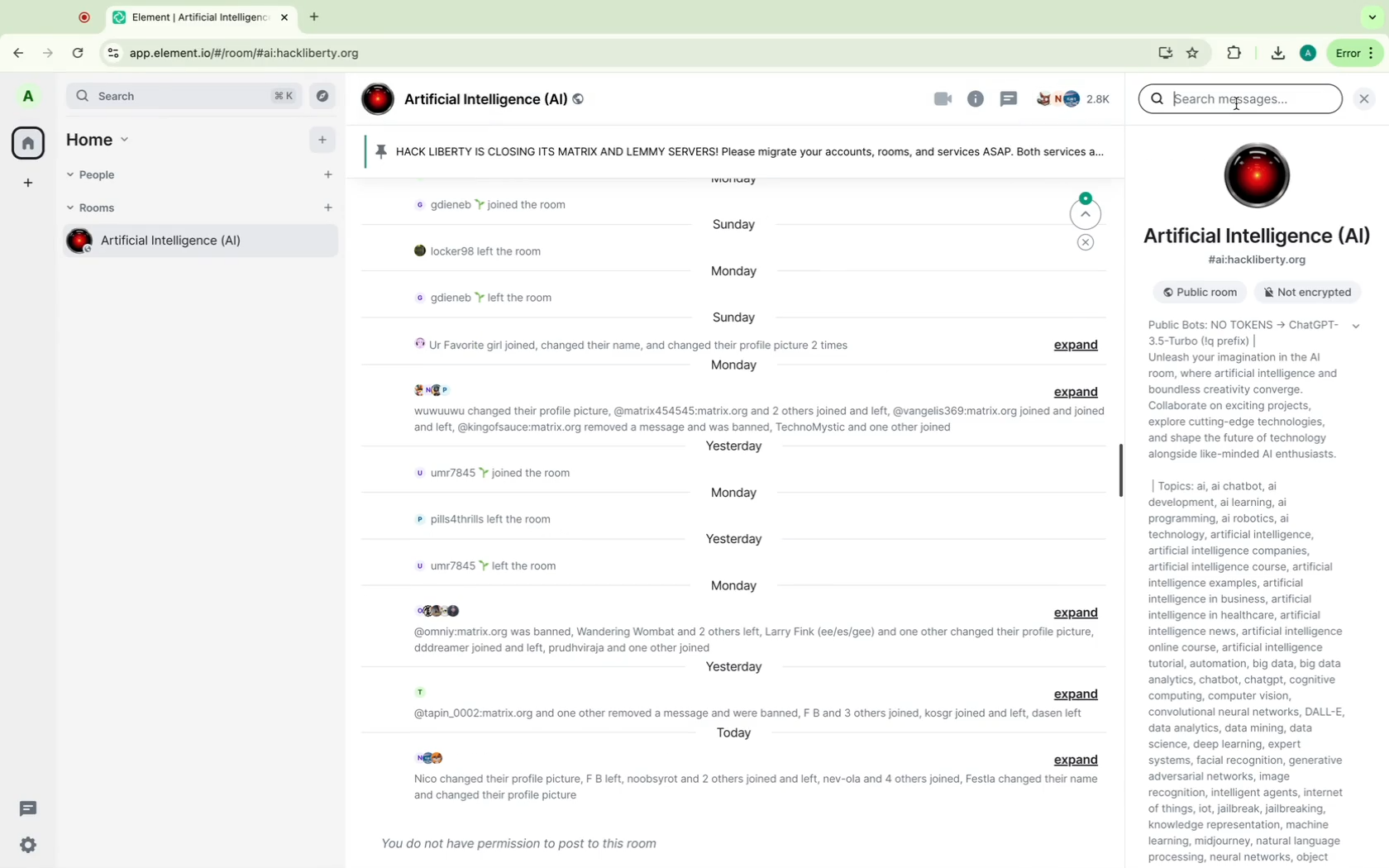  I want to click on threads, so click(1009, 98).